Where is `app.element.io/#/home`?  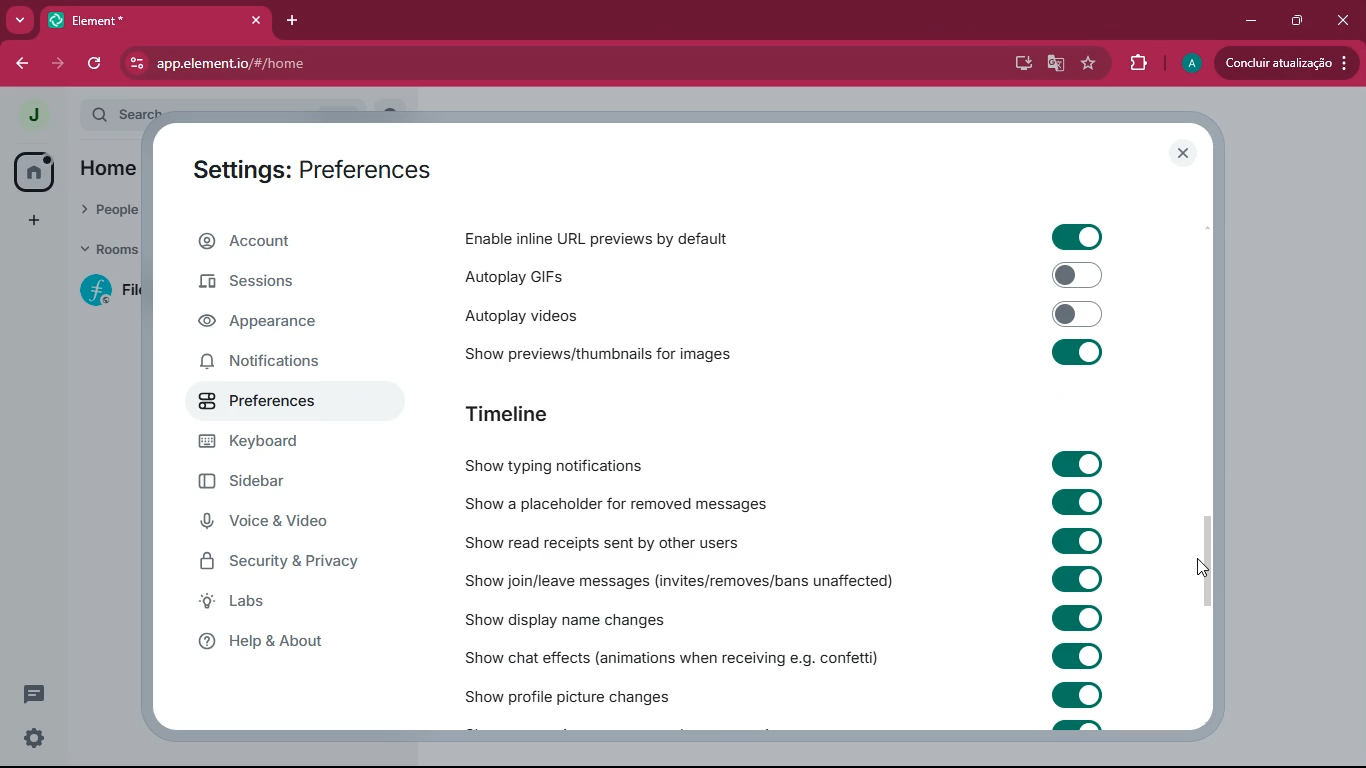
app.element.io/#/home is located at coordinates (342, 62).